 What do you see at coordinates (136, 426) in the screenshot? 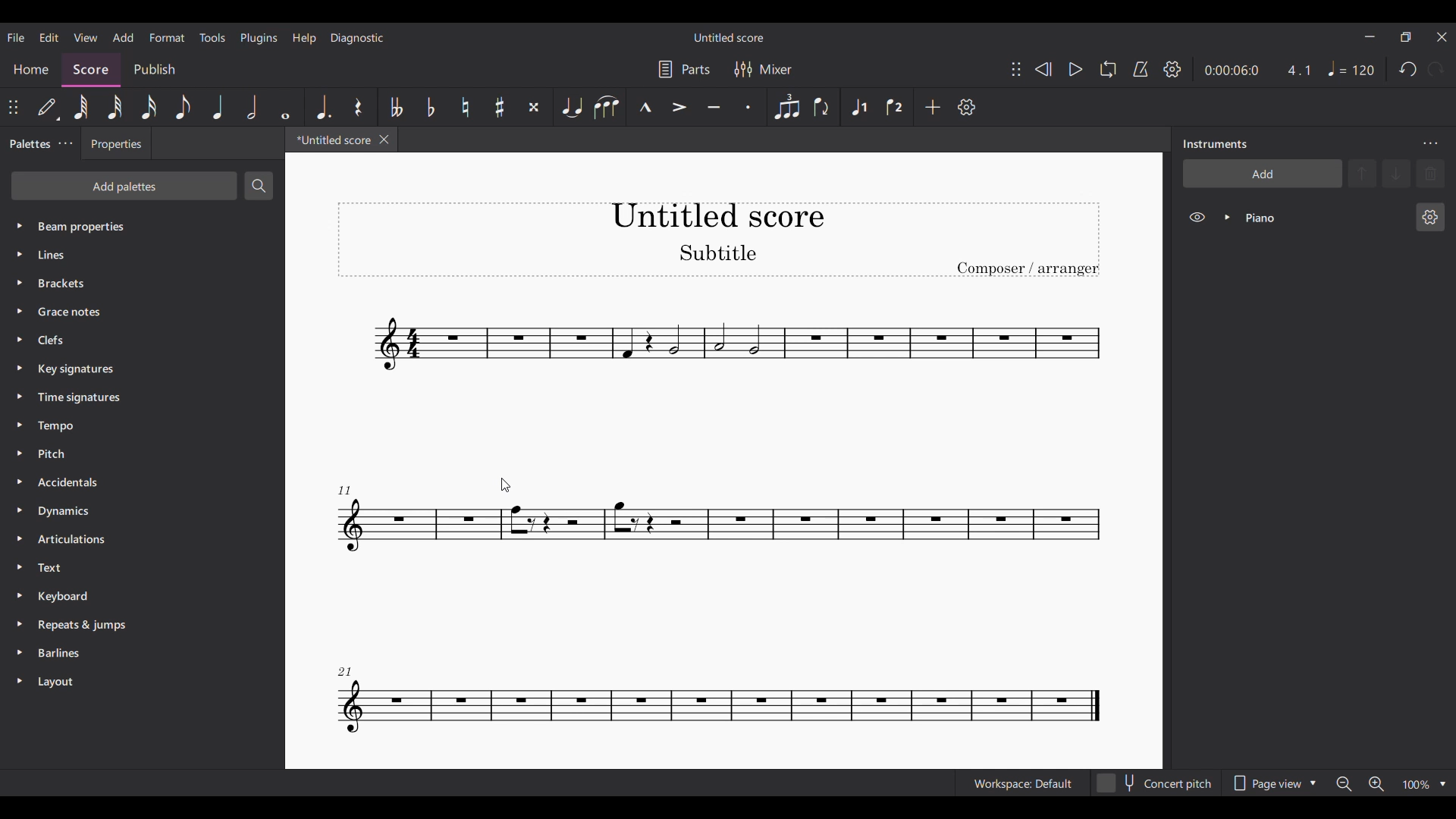
I see `Tempo` at bounding box center [136, 426].